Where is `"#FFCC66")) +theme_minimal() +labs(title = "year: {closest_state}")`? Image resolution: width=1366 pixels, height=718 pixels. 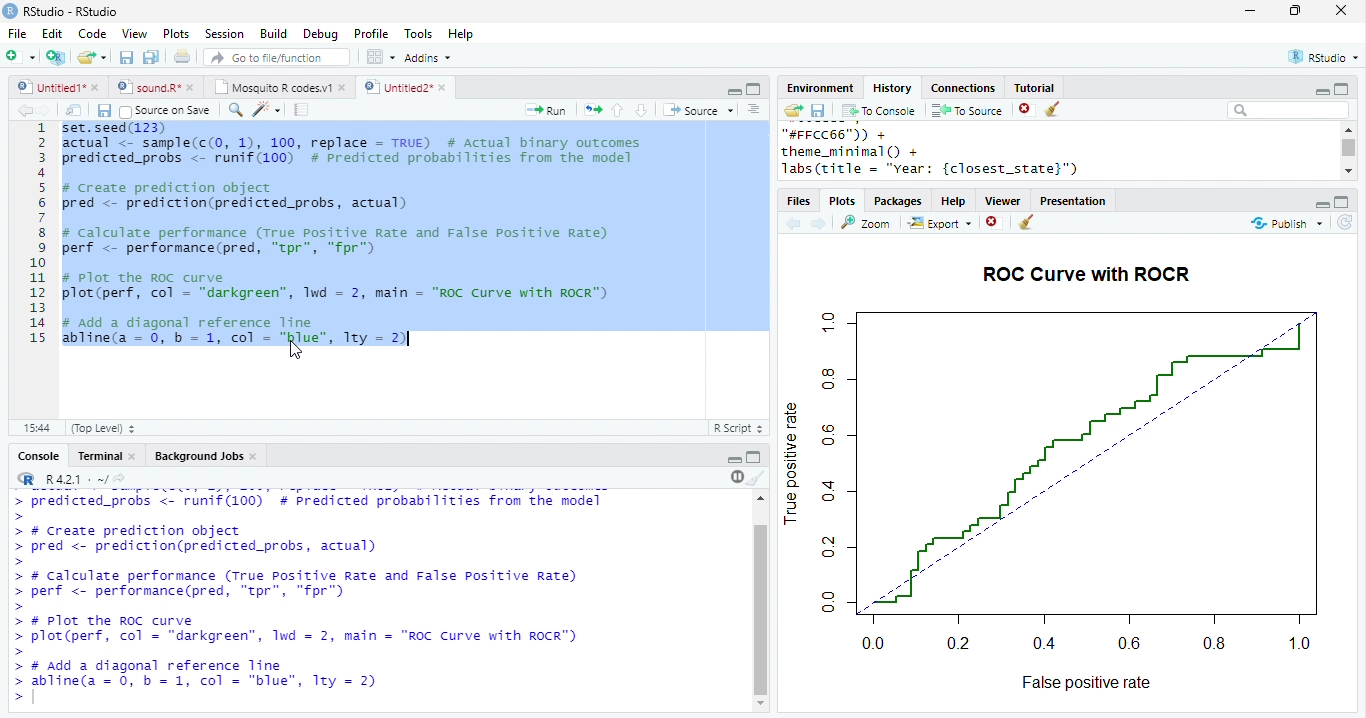
"#FFCC66")) +theme_minimal() +labs(title = "year: {closest_state}") is located at coordinates (955, 152).